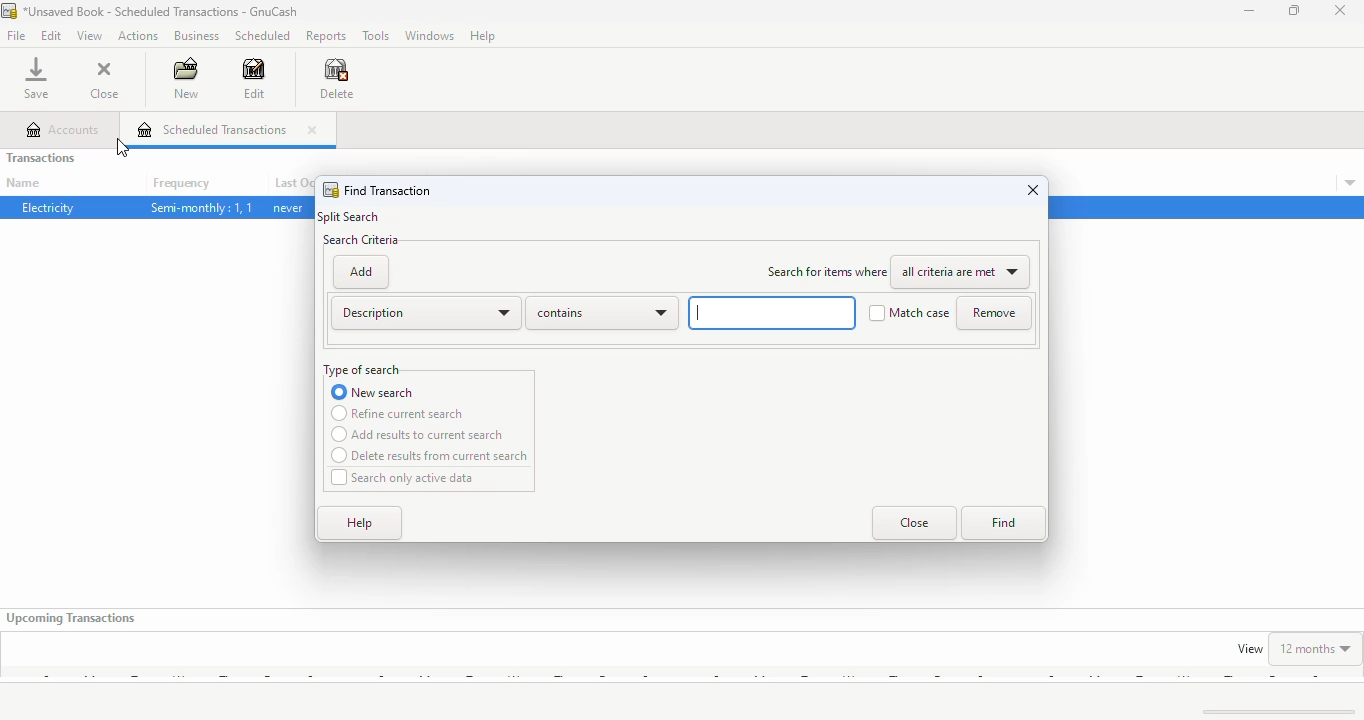 The image size is (1364, 720). I want to click on refine current search, so click(398, 413).